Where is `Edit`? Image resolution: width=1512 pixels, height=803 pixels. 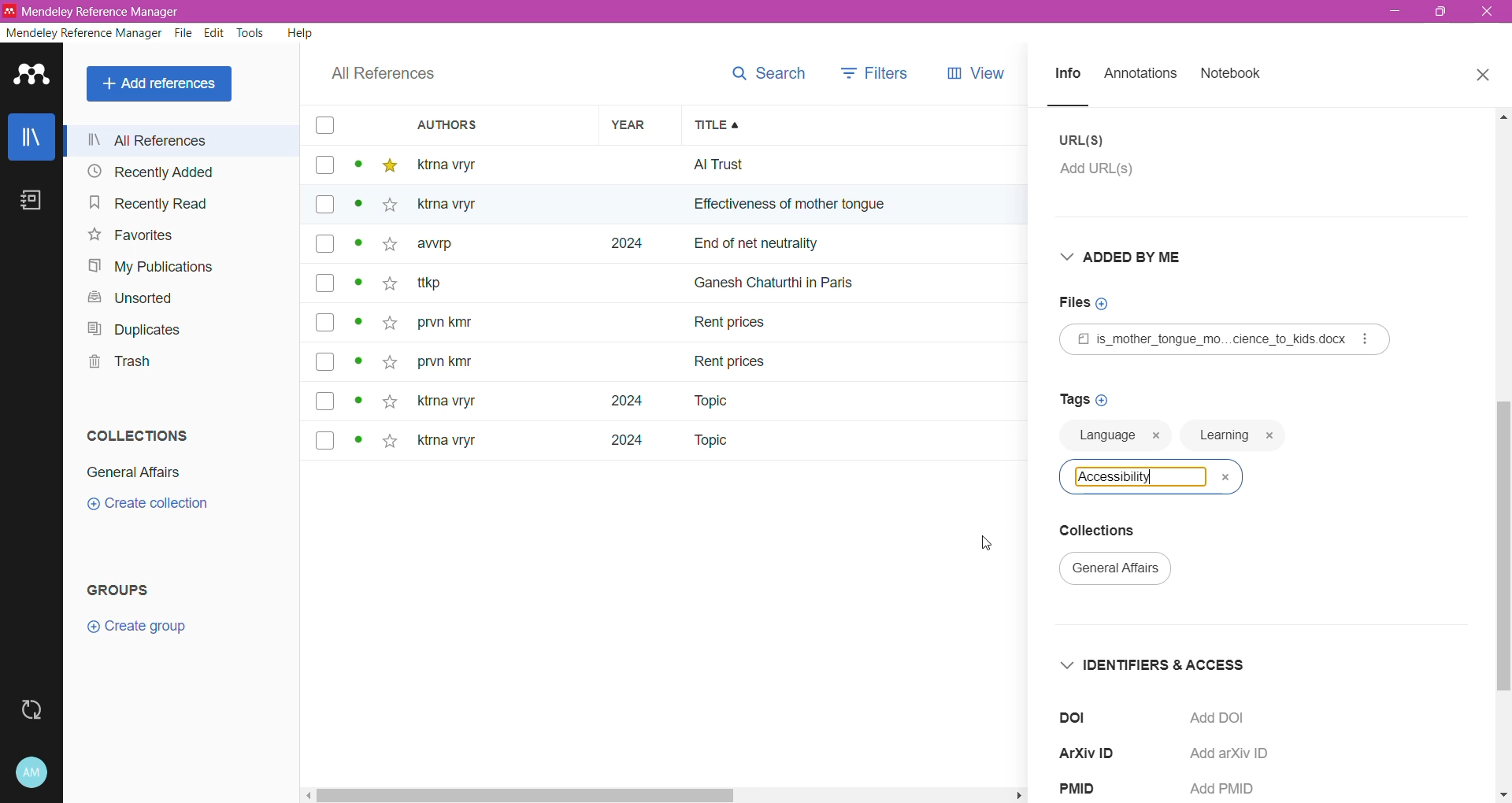 Edit is located at coordinates (216, 33).